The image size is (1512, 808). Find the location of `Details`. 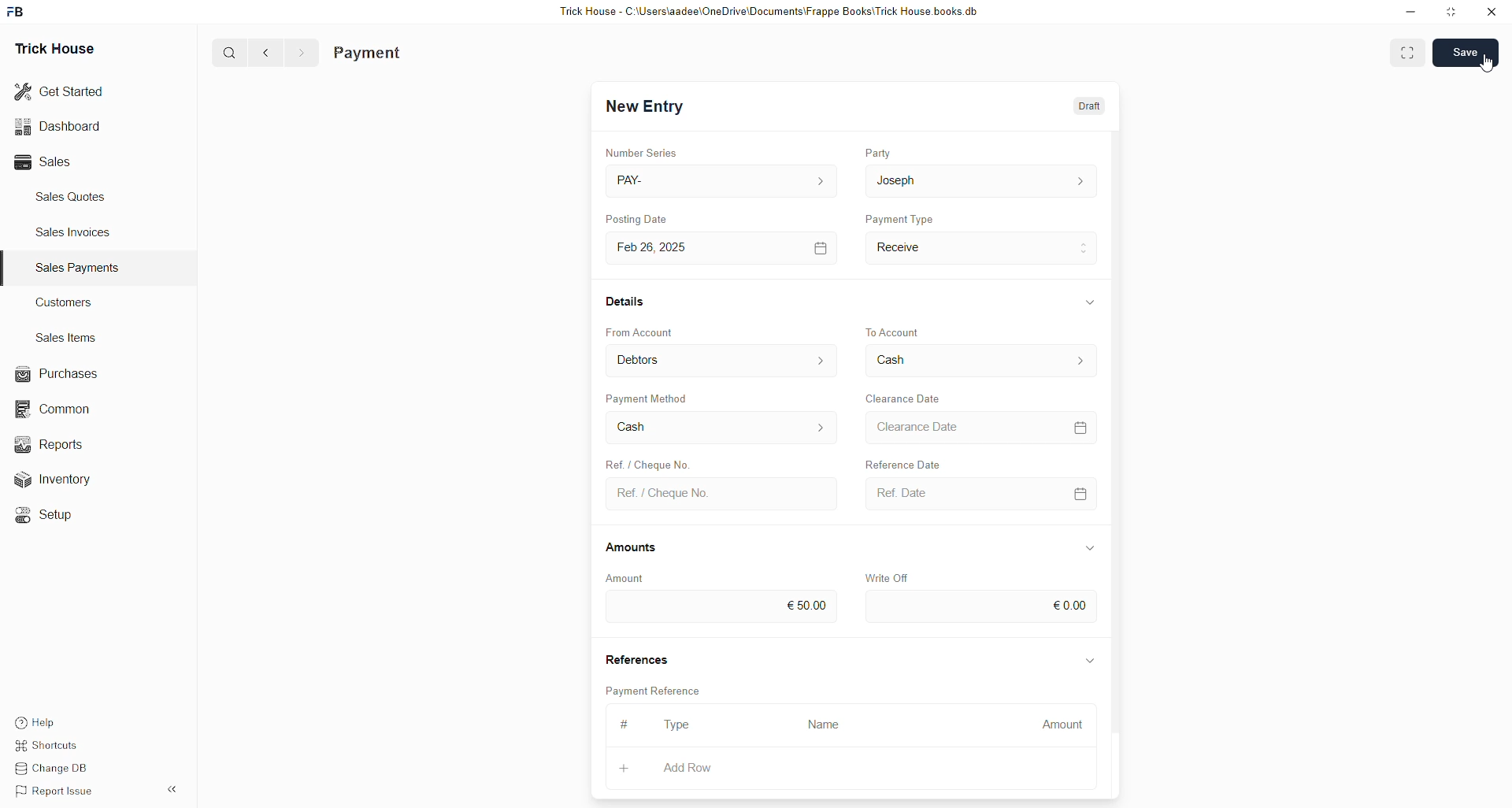

Details is located at coordinates (627, 301).